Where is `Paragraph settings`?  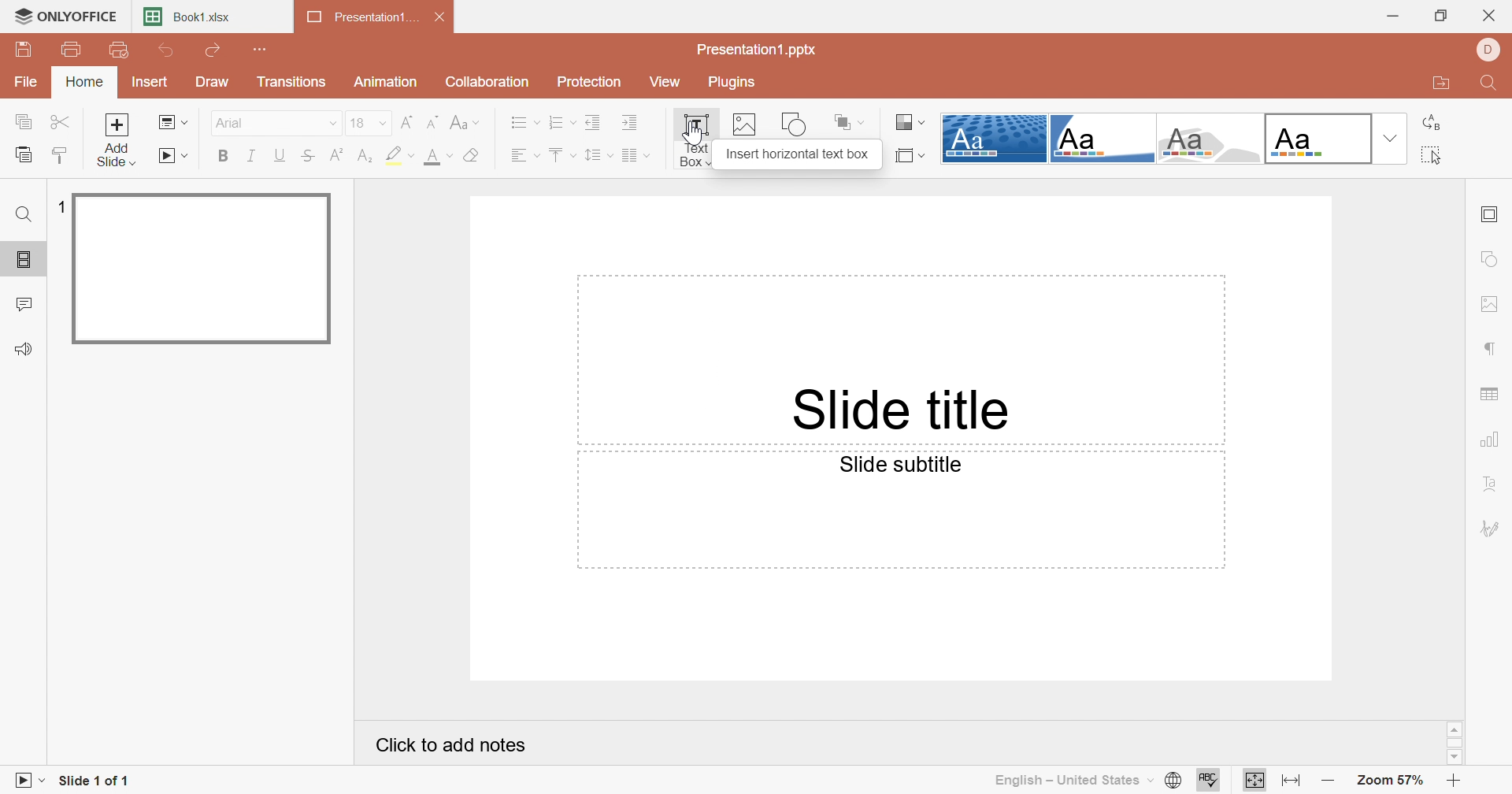
Paragraph settings is located at coordinates (1493, 348).